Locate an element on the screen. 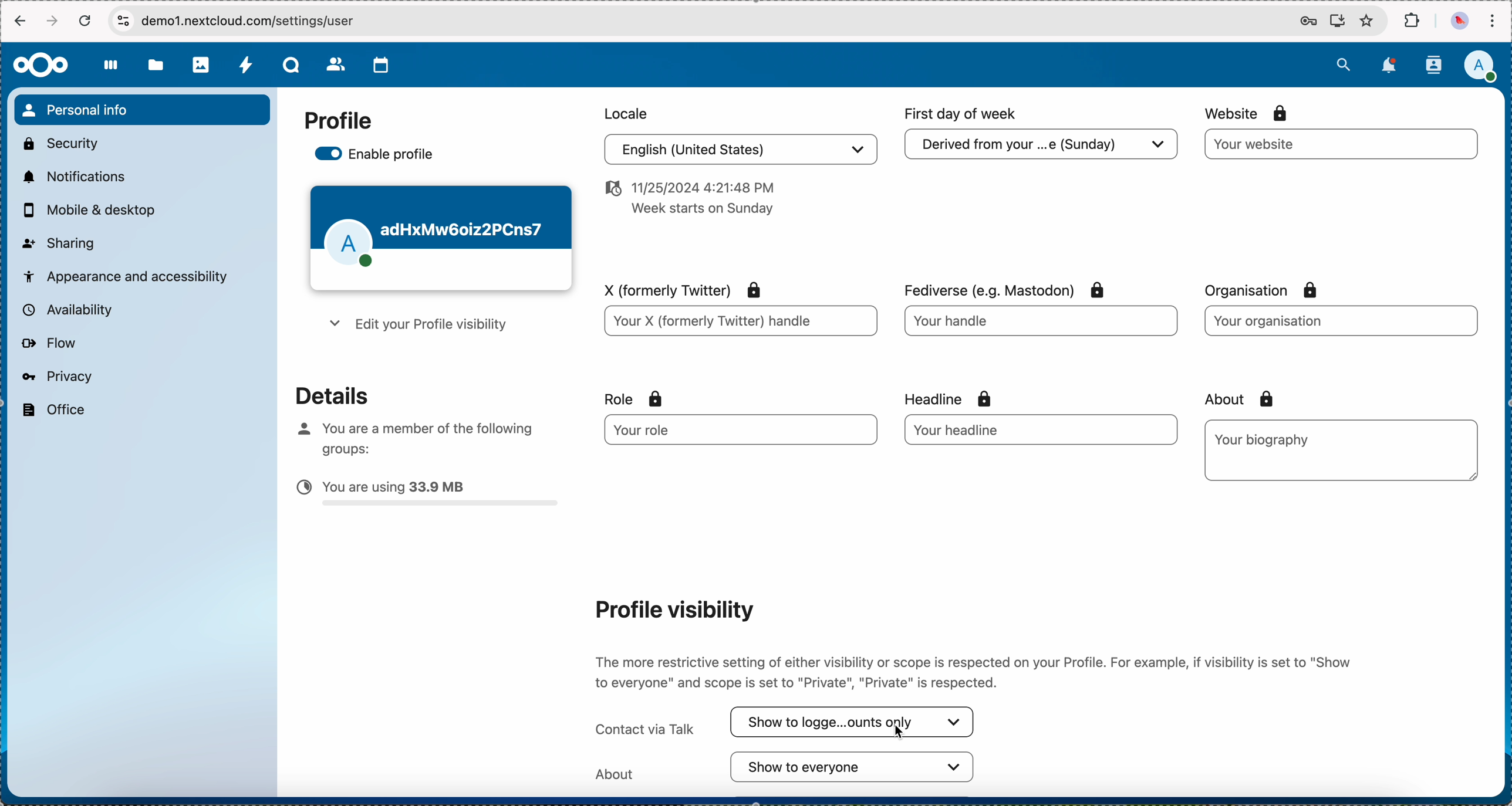 This screenshot has width=1512, height=806. scroll bar is located at coordinates (1500, 398).